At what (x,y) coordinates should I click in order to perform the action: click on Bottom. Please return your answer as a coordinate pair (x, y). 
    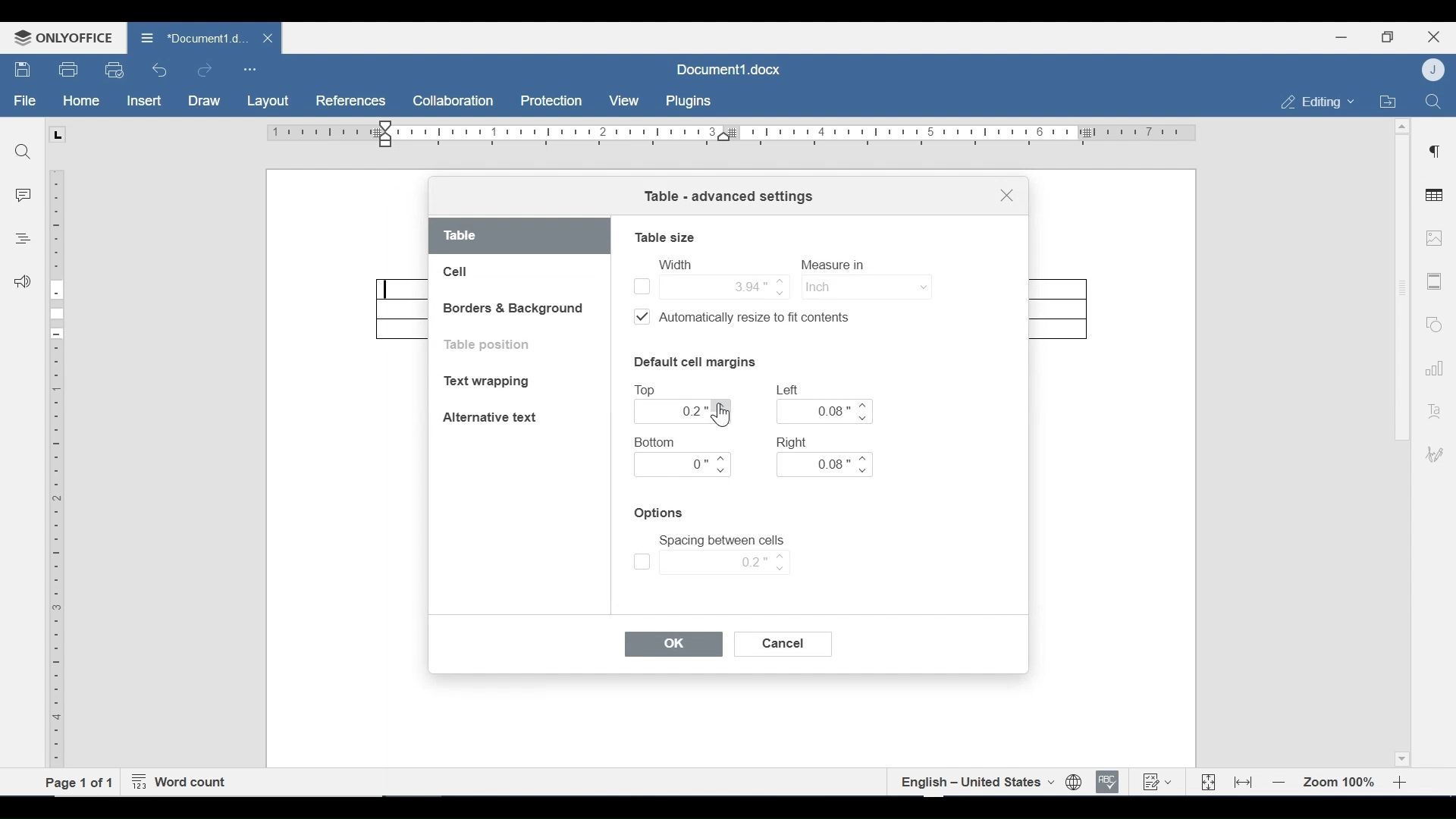
    Looking at the image, I should click on (657, 442).